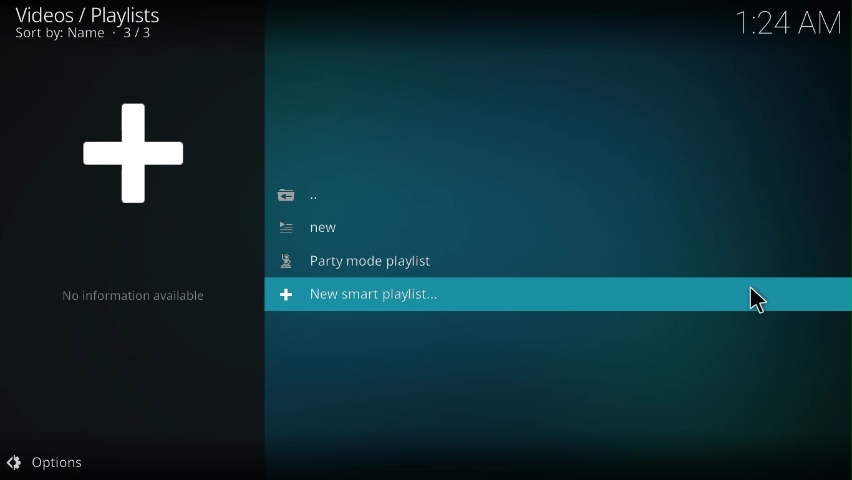 The width and height of the screenshot is (852, 480). What do you see at coordinates (47, 464) in the screenshot?
I see `options` at bounding box center [47, 464].